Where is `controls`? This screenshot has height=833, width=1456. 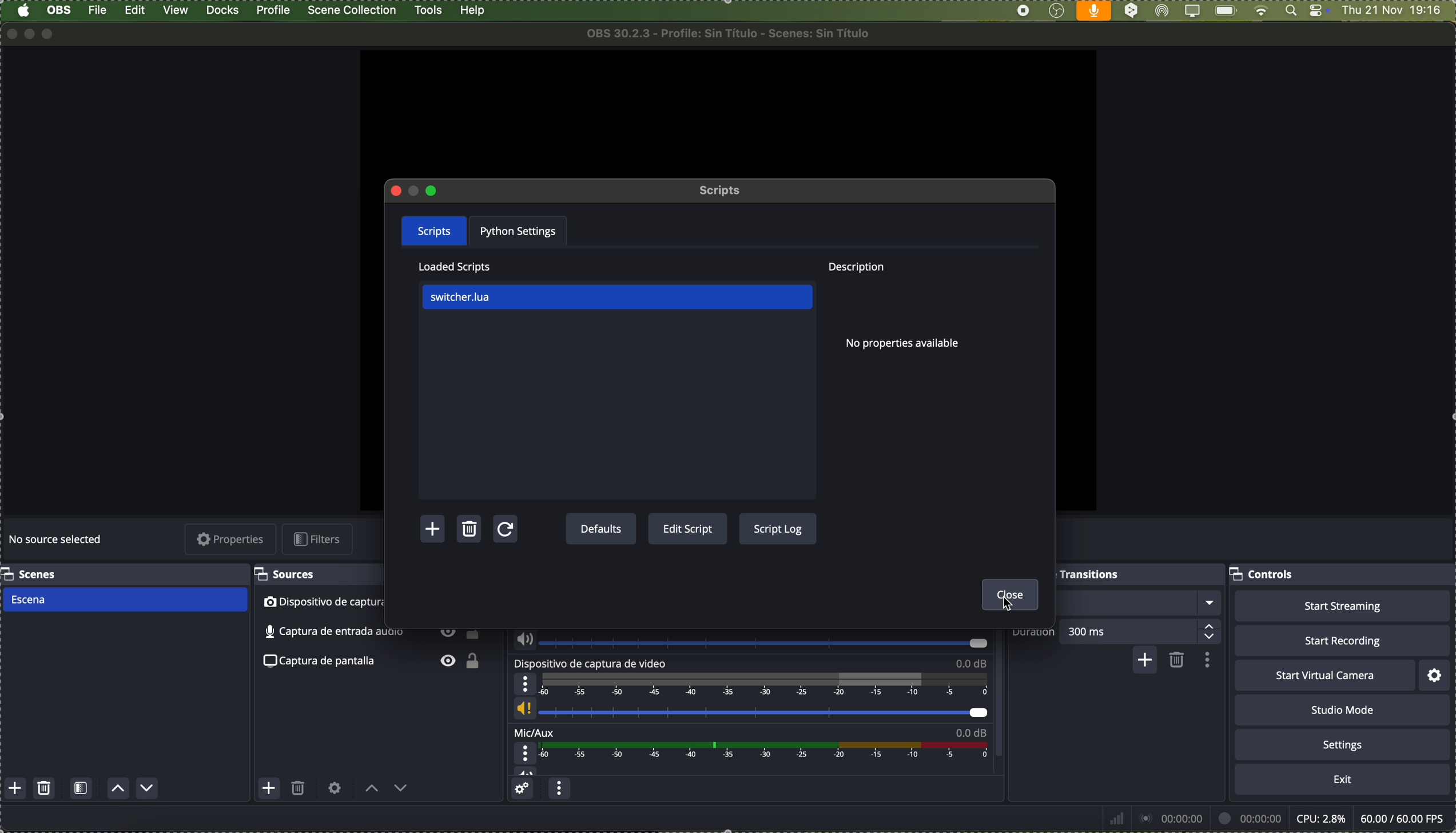 controls is located at coordinates (1264, 576).